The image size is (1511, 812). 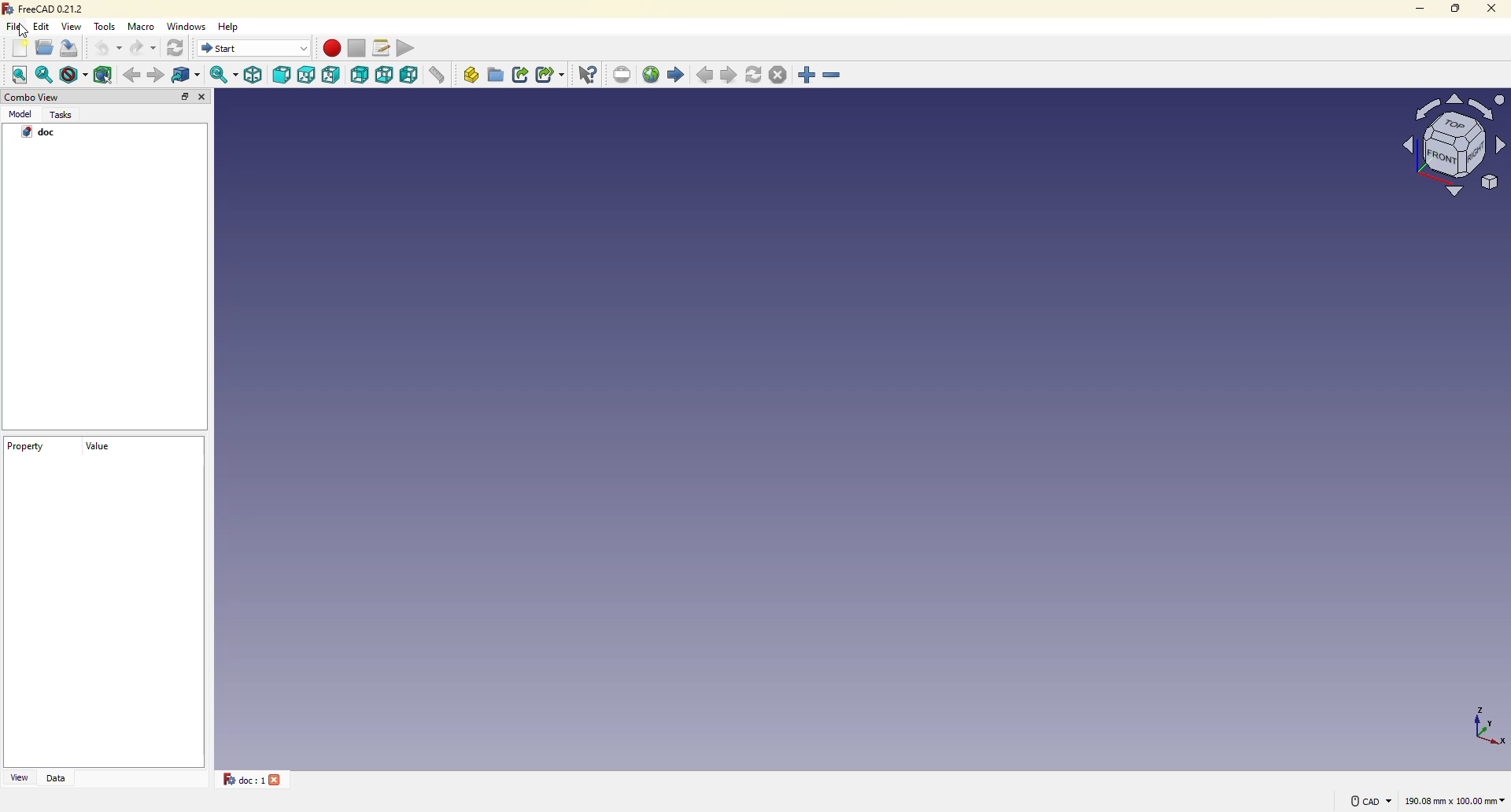 What do you see at coordinates (31, 98) in the screenshot?
I see `combo view` at bounding box center [31, 98].